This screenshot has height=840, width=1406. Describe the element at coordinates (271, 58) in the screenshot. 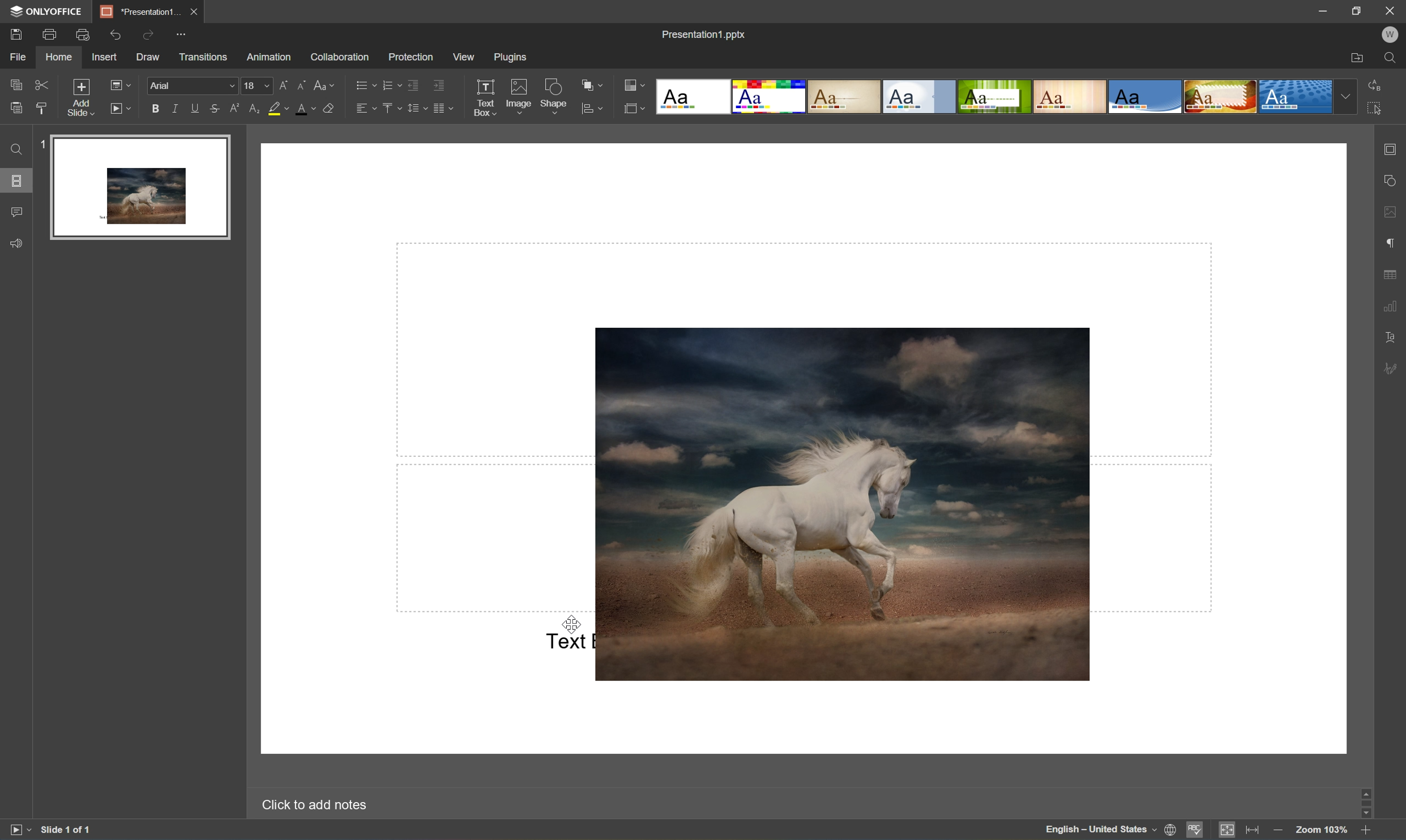

I see `Animation` at that location.